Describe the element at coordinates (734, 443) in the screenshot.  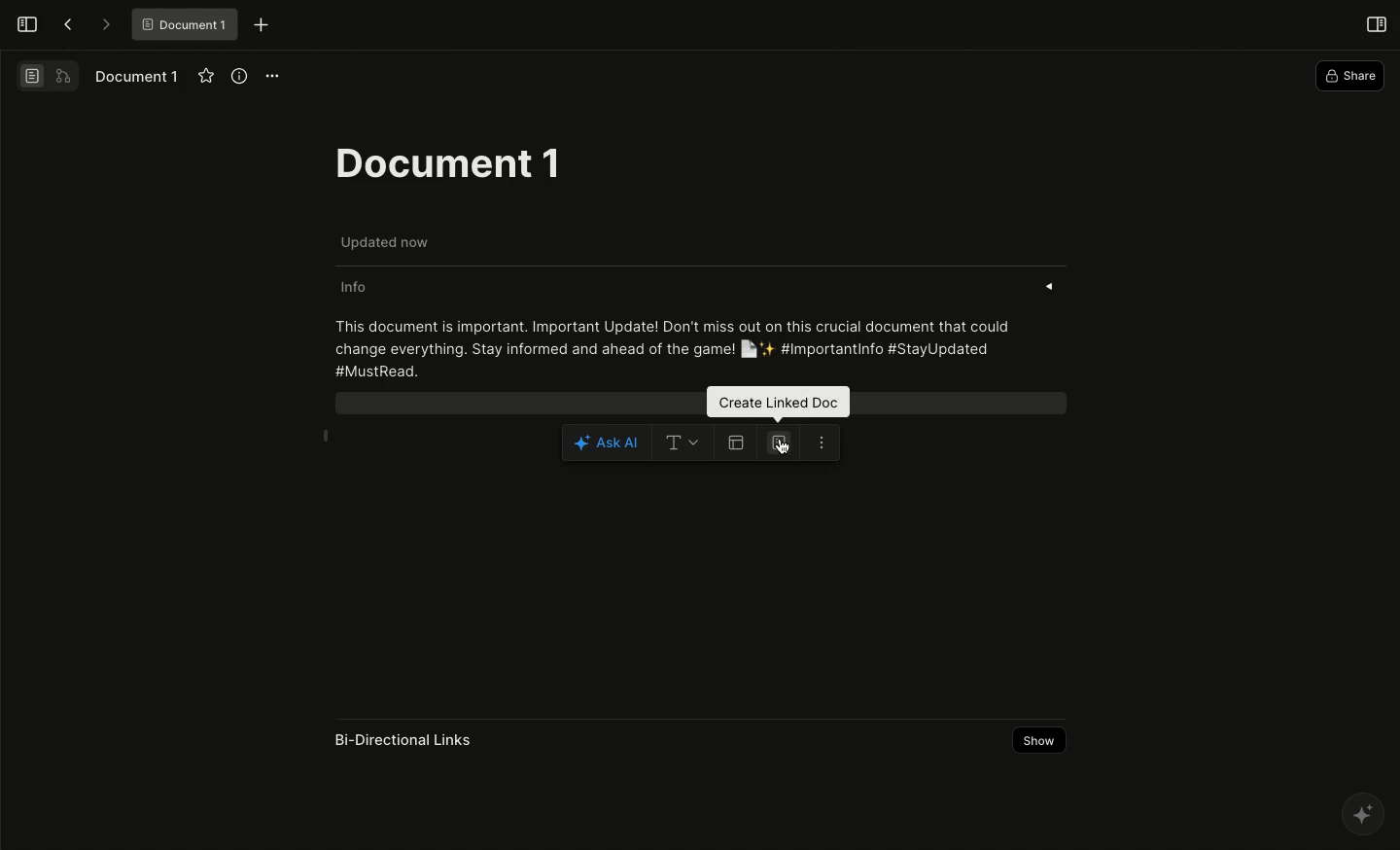
I see `Create table` at that location.